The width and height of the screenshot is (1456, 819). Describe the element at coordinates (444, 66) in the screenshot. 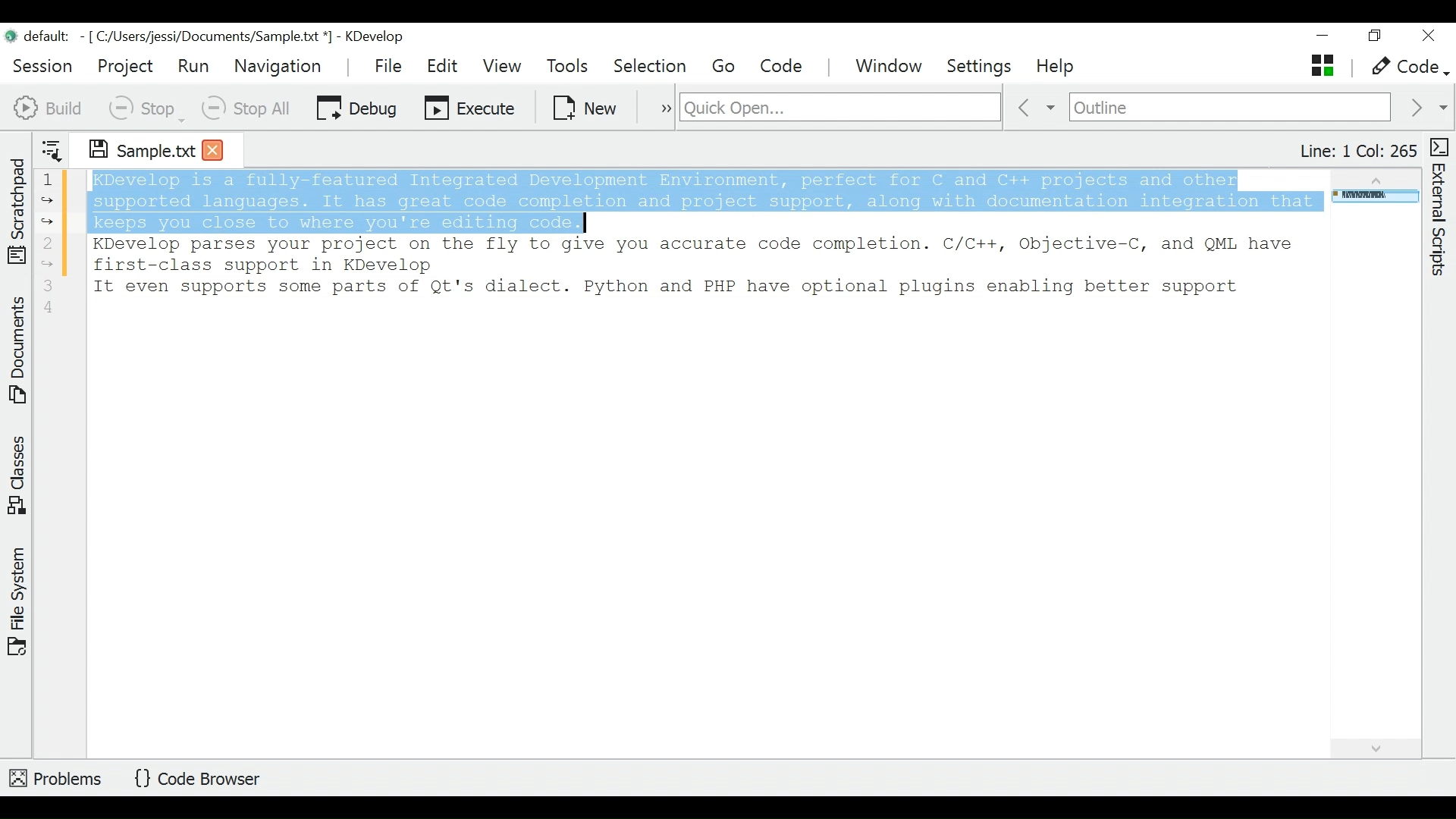

I see `Edit` at that location.